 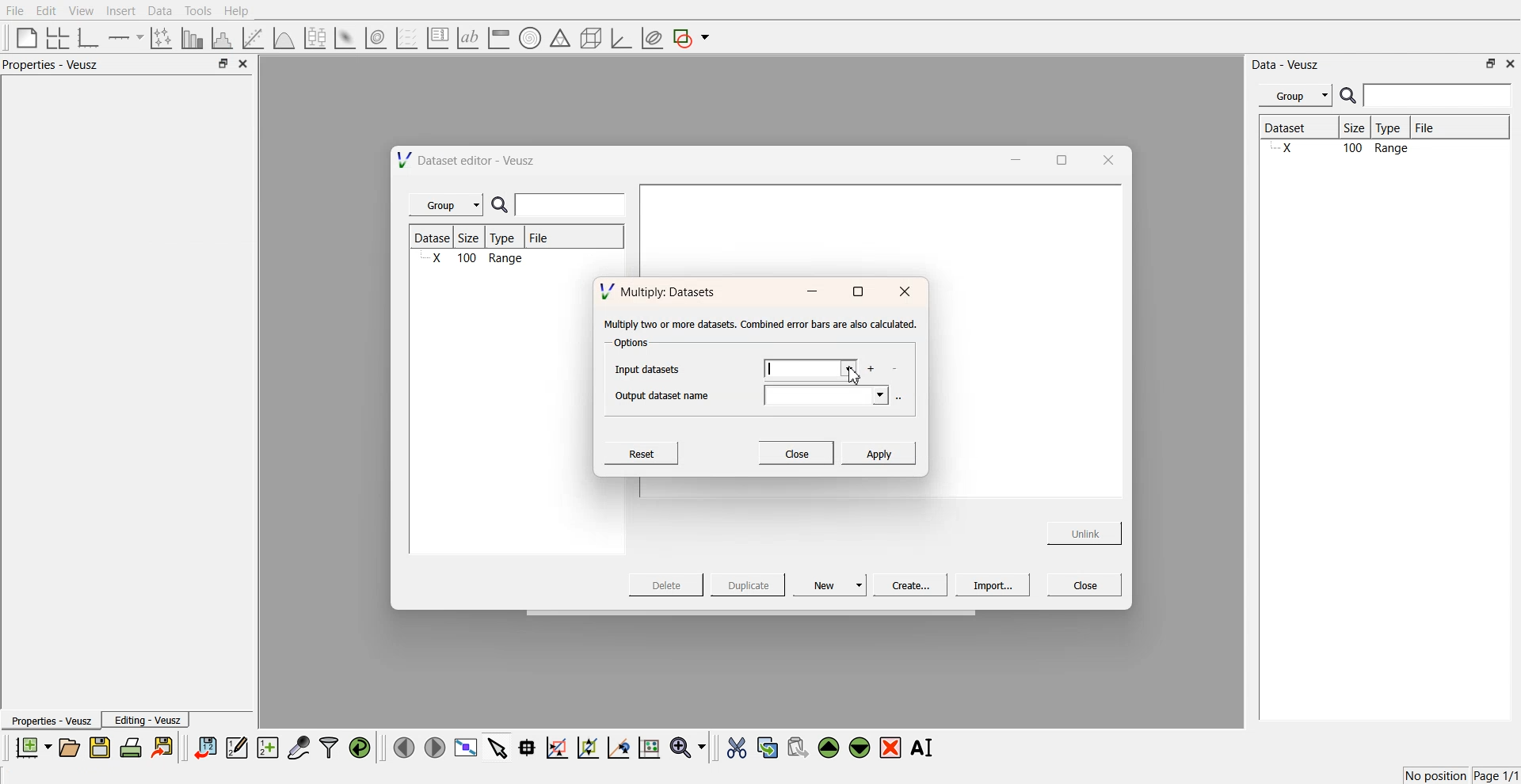 I want to click on plot a 2d datasets as image, so click(x=344, y=37).